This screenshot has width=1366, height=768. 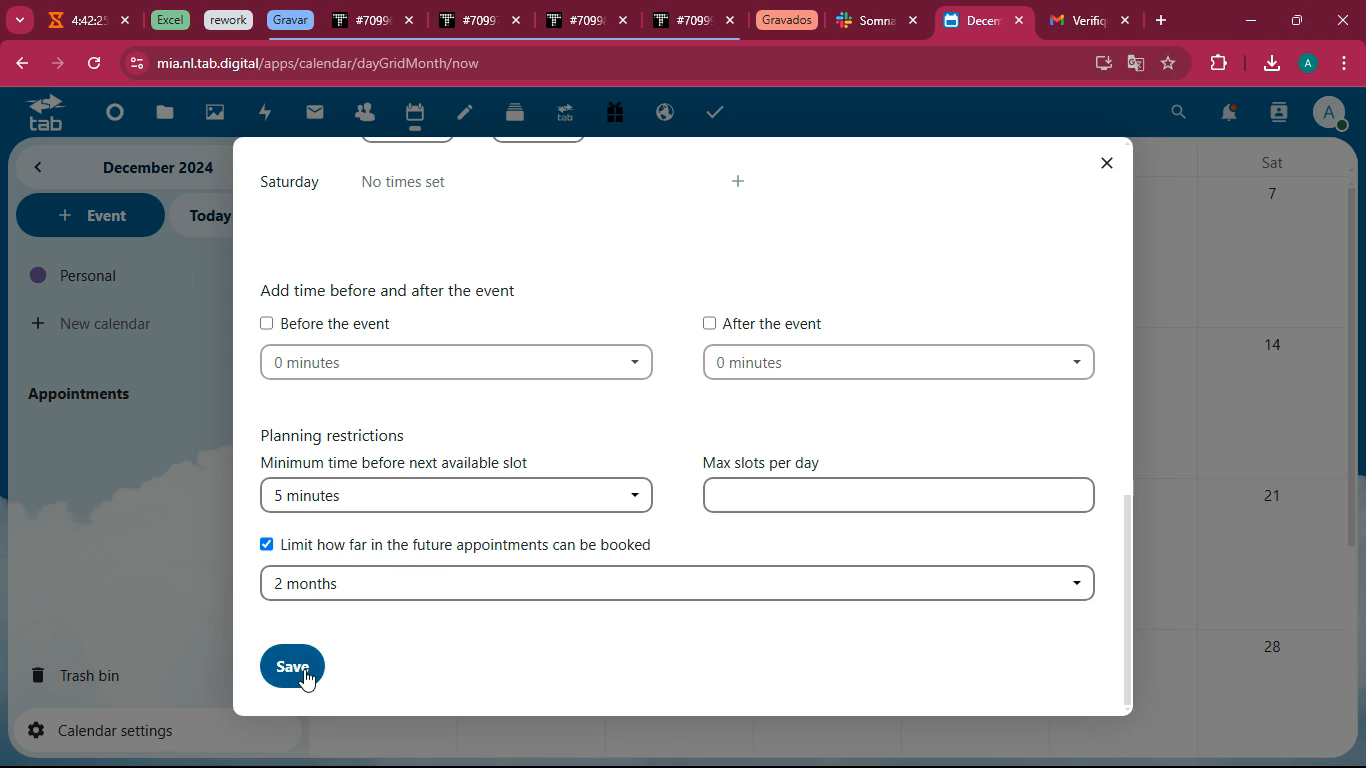 I want to click on public, so click(x=666, y=113).